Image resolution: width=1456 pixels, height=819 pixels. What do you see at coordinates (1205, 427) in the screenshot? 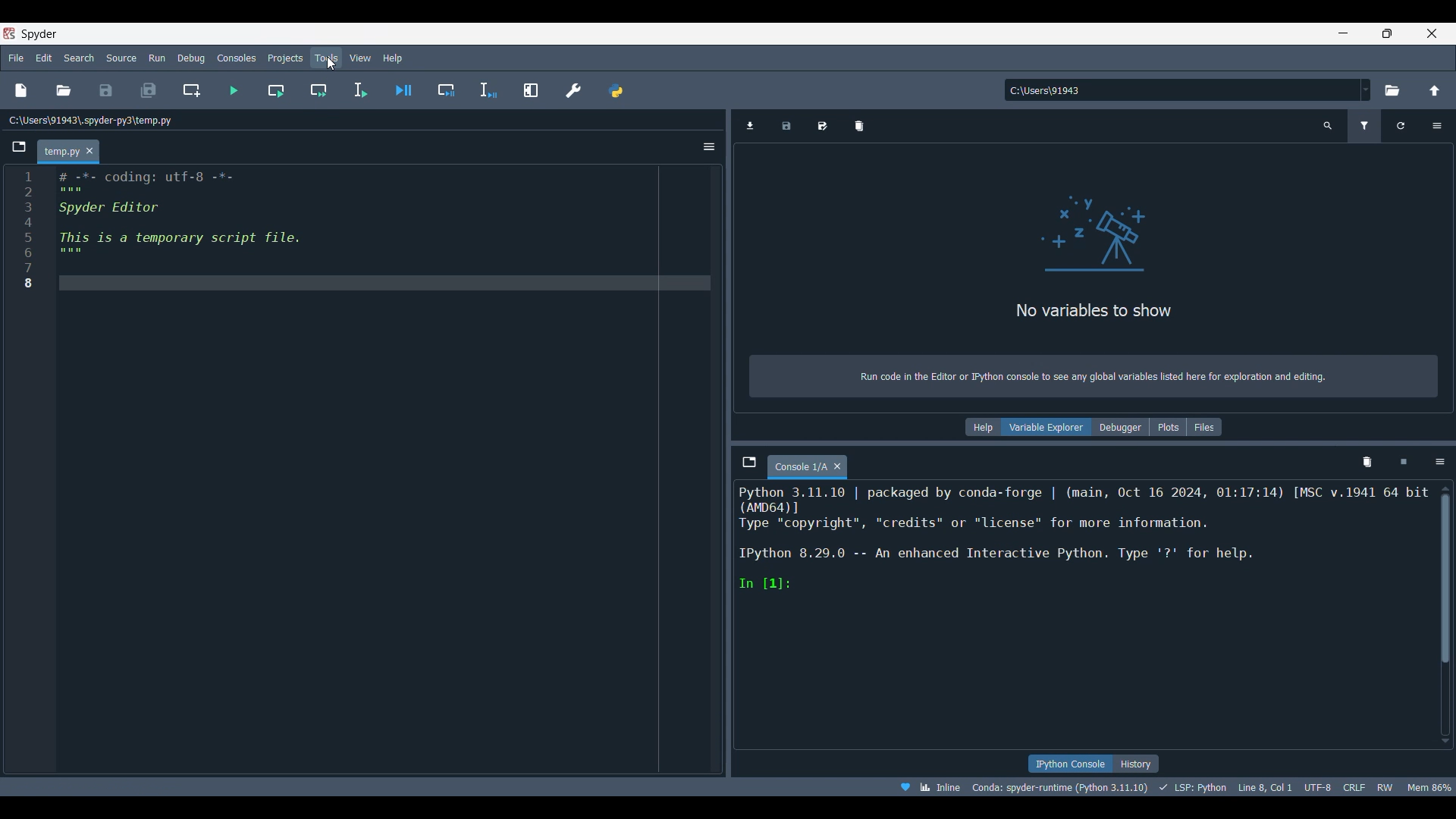
I see `Files` at bounding box center [1205, 427].